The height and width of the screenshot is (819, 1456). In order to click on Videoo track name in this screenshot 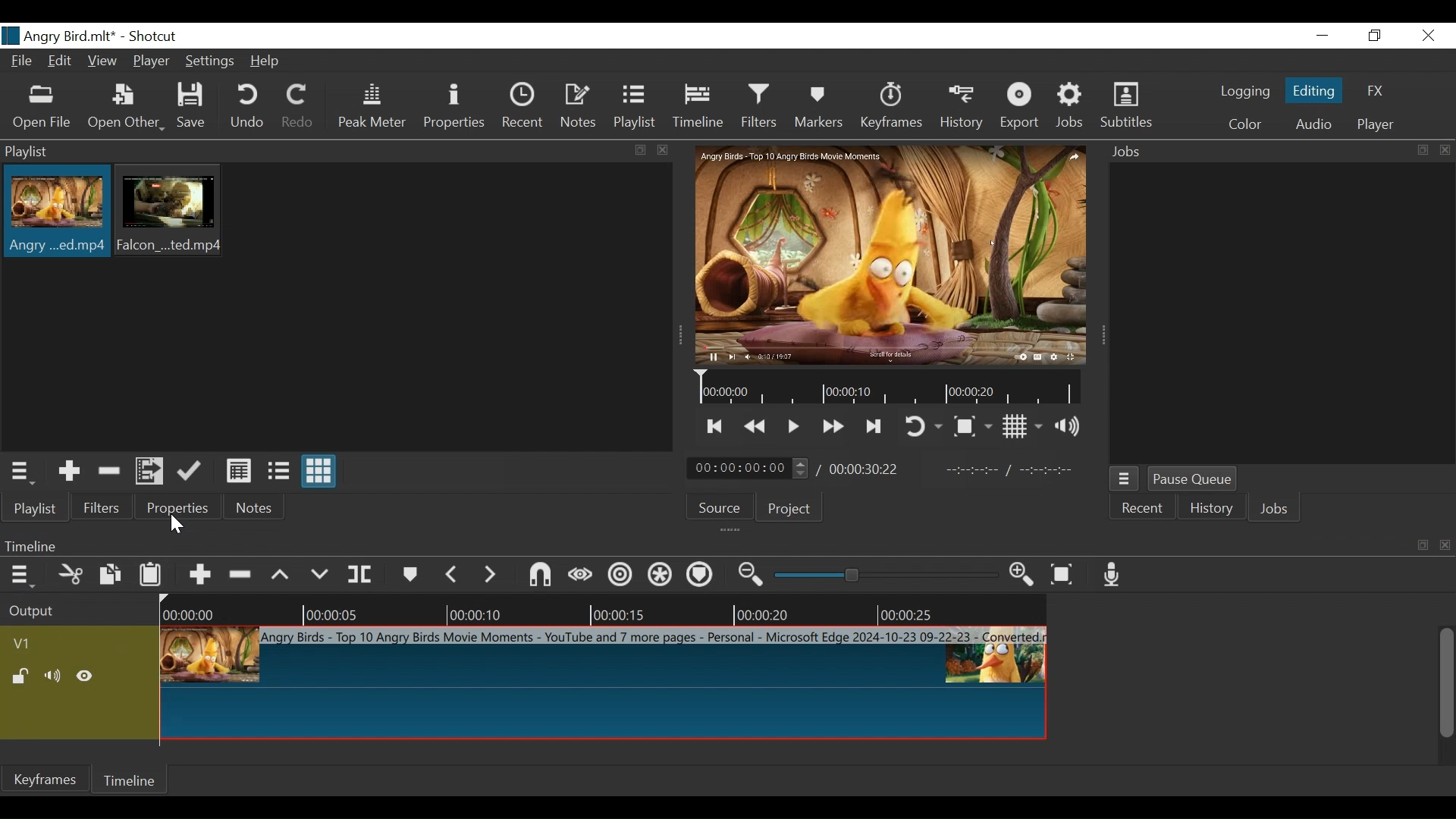, I will do `click(42, 645)`.